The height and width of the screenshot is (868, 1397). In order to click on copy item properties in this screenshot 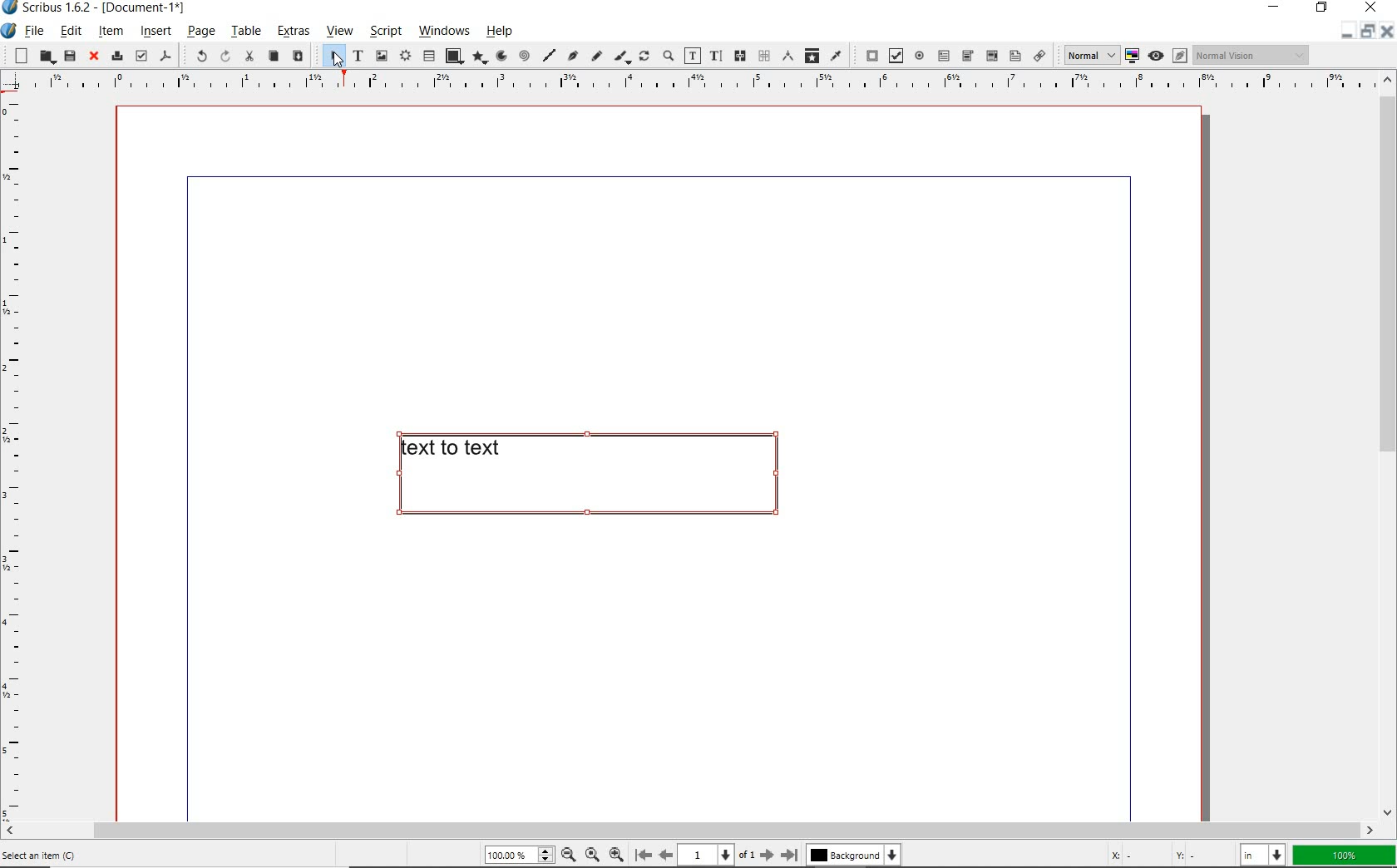, I will do `click(812, 55)`.